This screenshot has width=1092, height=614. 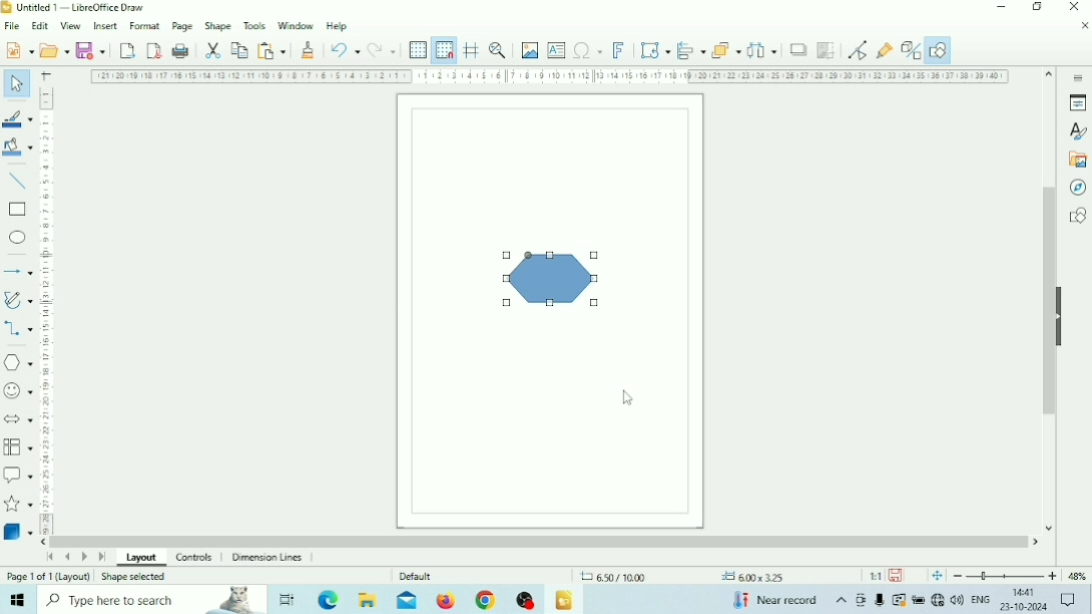 What do you see at coordinates (530, 50) in the screenshot?
I see `Insert Image` at bounding box center [530, 50].